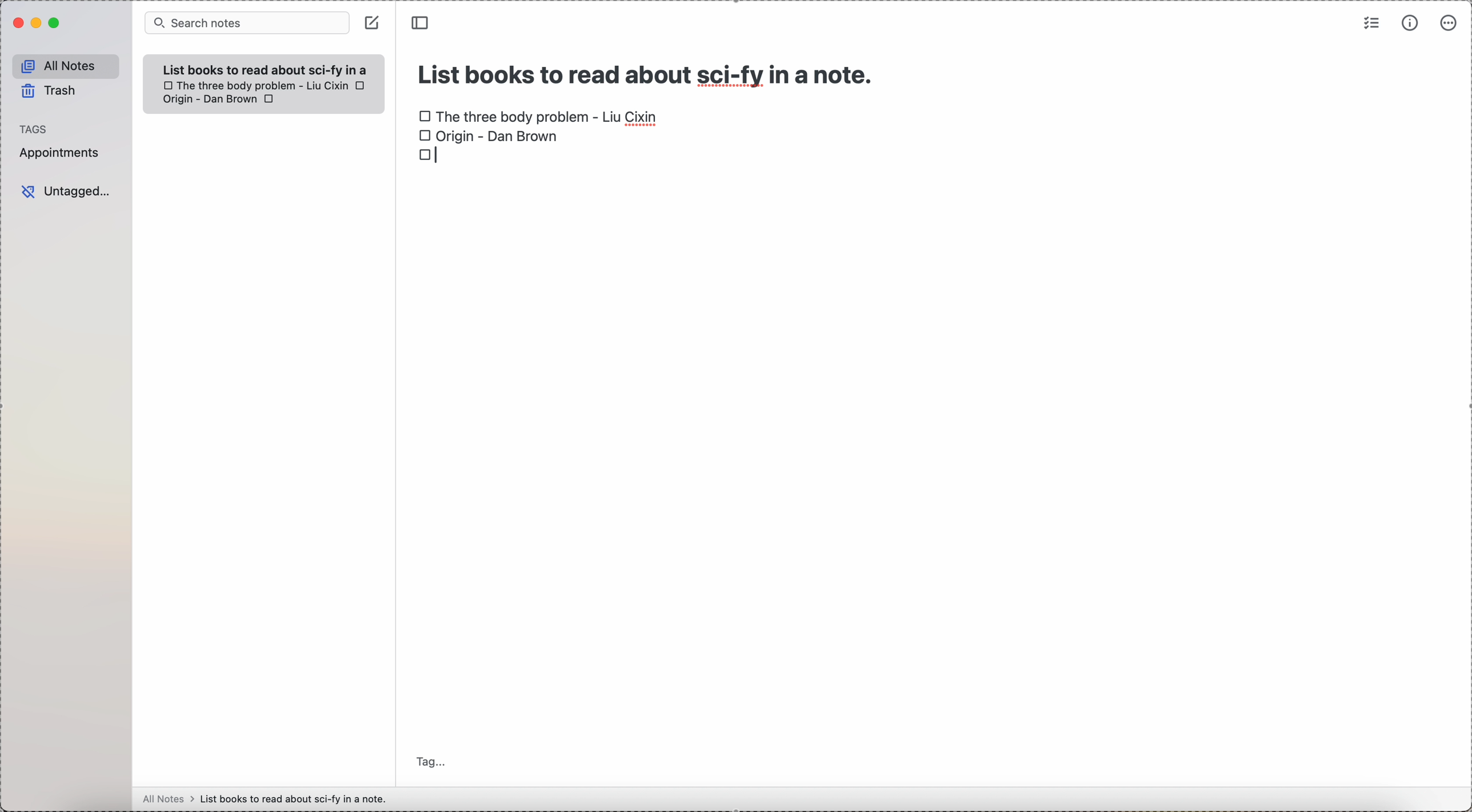  I want to click on appointments tag, so click(60, 154).